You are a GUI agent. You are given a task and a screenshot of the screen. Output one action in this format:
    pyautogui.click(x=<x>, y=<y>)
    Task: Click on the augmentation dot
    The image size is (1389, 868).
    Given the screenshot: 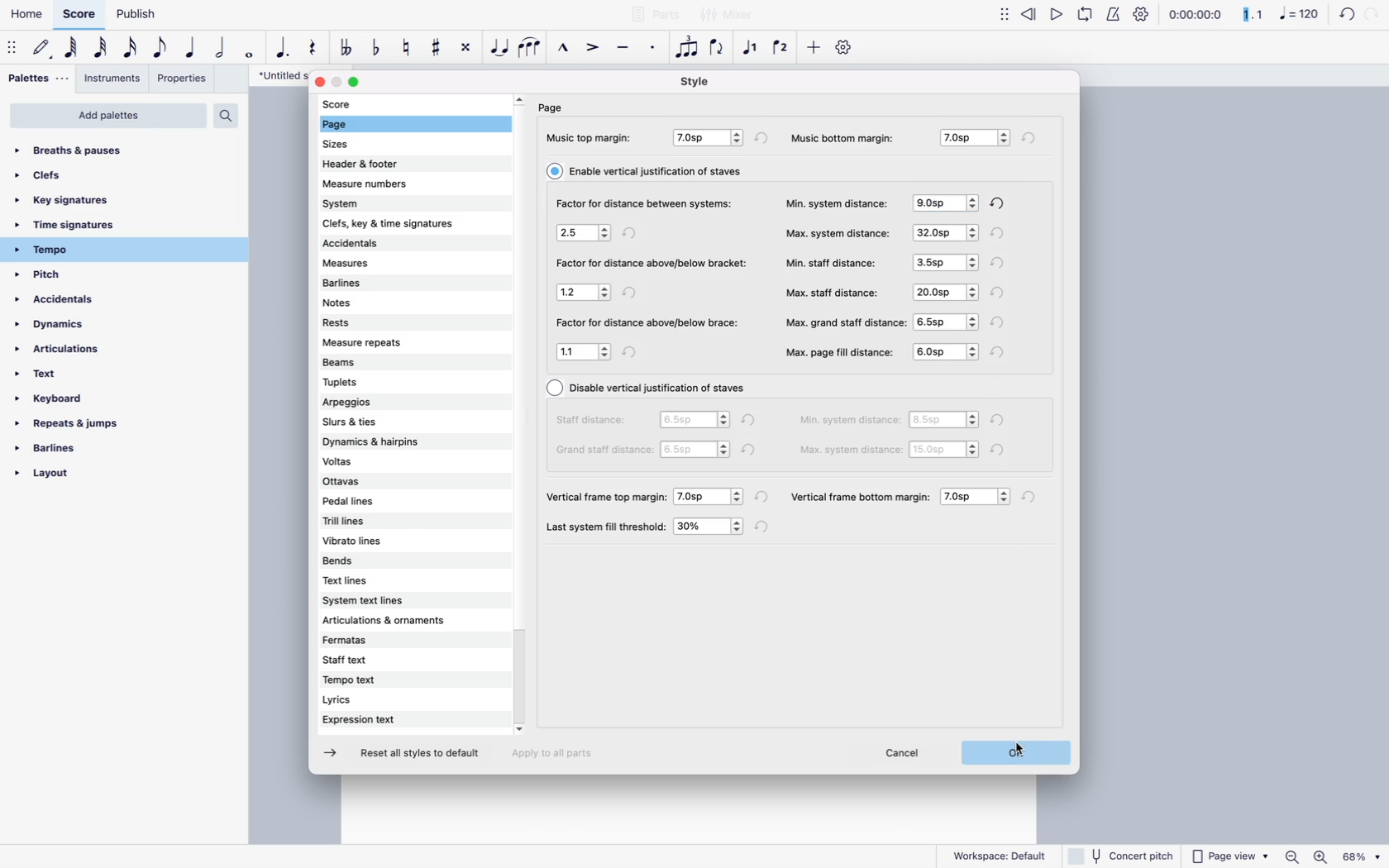 What is the action you would take?
    pyautogui.click(x=285, y=49)
    